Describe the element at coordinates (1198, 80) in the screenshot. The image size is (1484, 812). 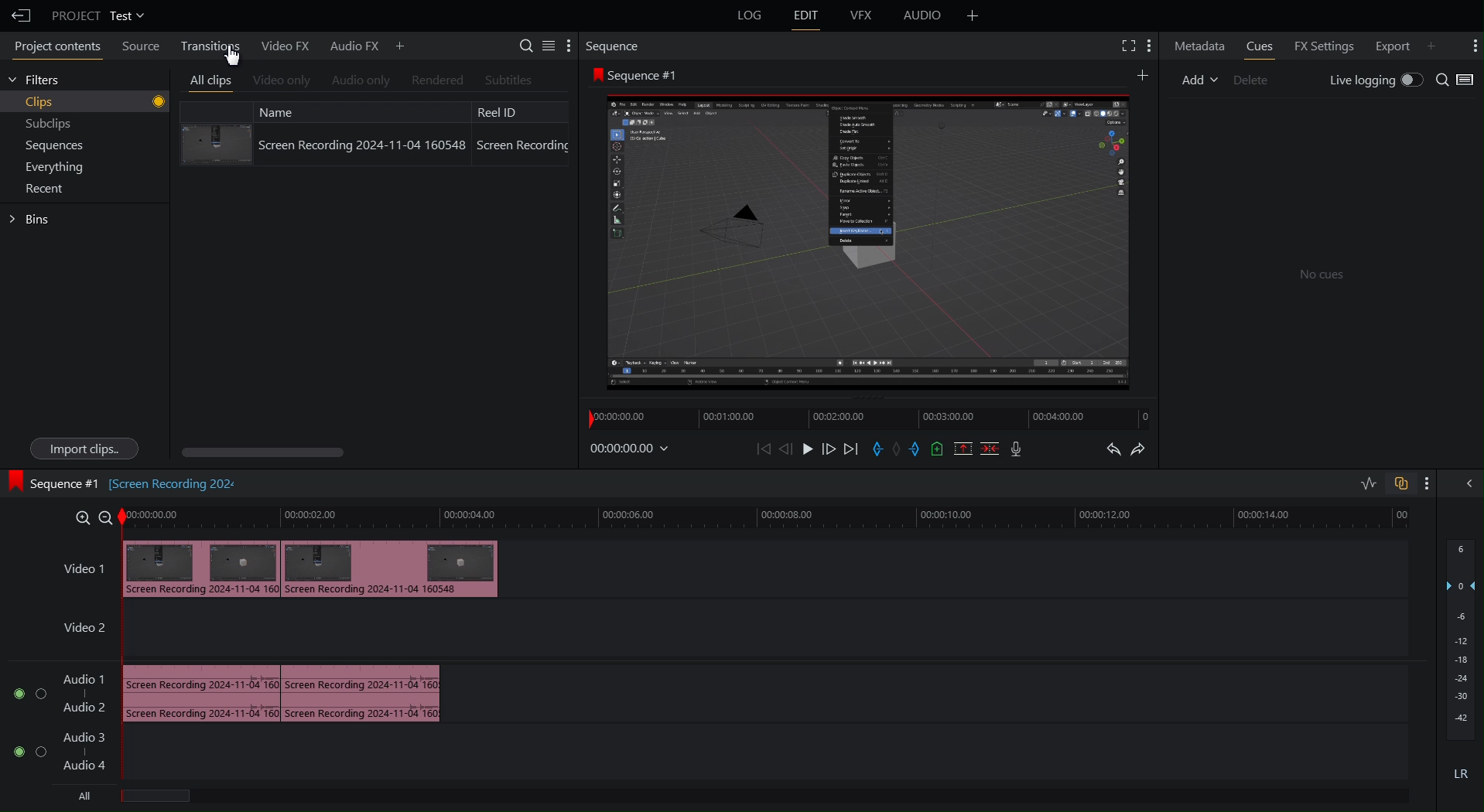
I see `Add ` at that location.